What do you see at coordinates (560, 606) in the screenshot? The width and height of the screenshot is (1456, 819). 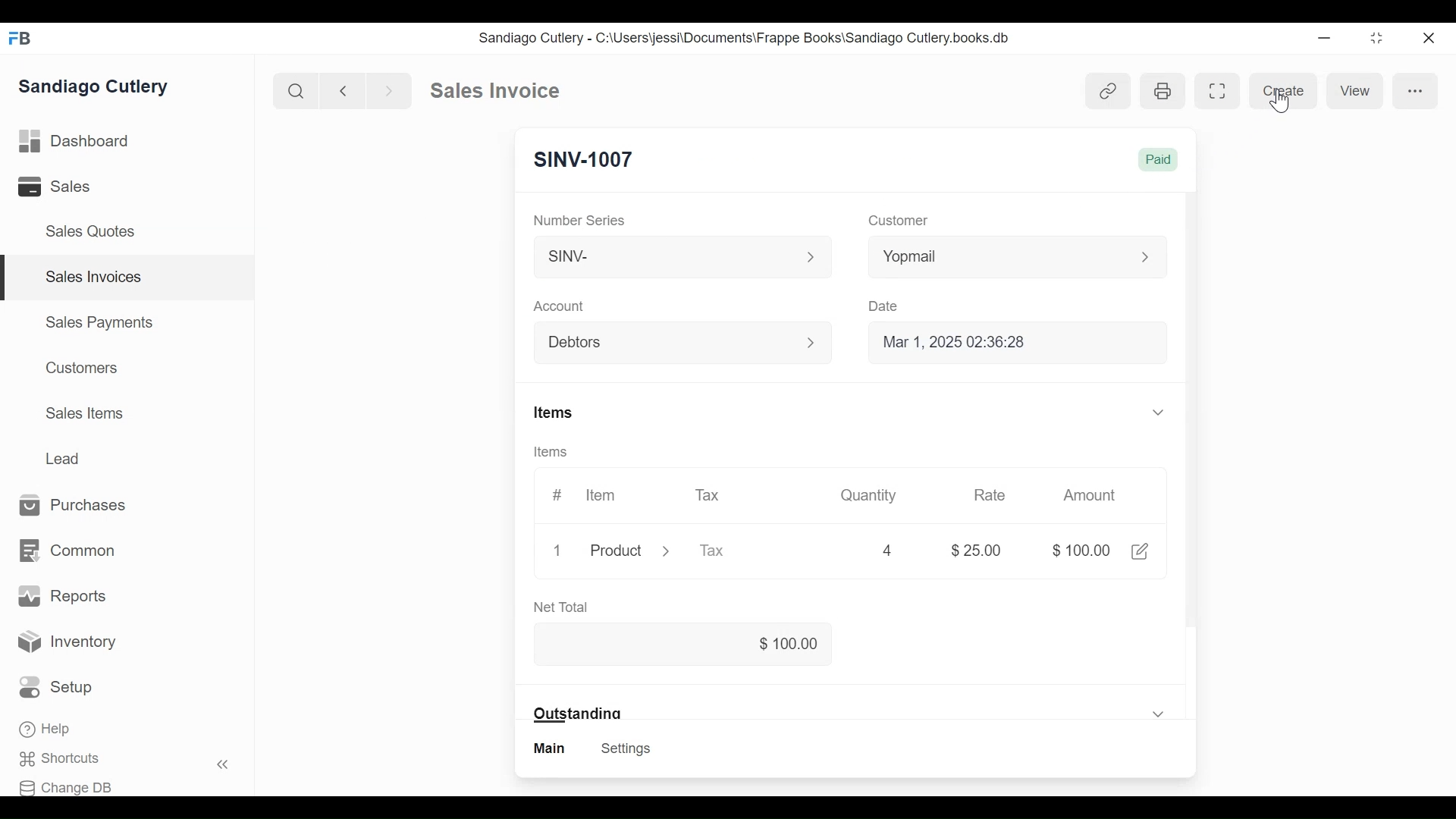 I see `Net Total` at bounding box center [560, 606].